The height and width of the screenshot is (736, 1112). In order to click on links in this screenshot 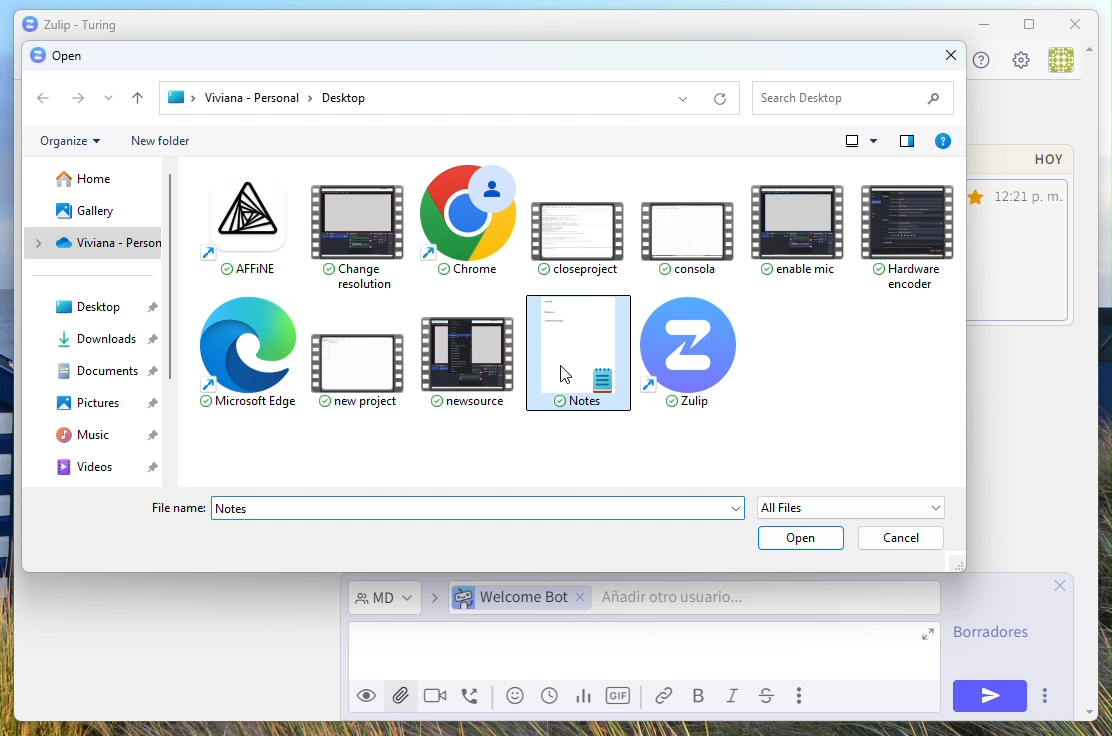, I will do `click(669, 696)`.